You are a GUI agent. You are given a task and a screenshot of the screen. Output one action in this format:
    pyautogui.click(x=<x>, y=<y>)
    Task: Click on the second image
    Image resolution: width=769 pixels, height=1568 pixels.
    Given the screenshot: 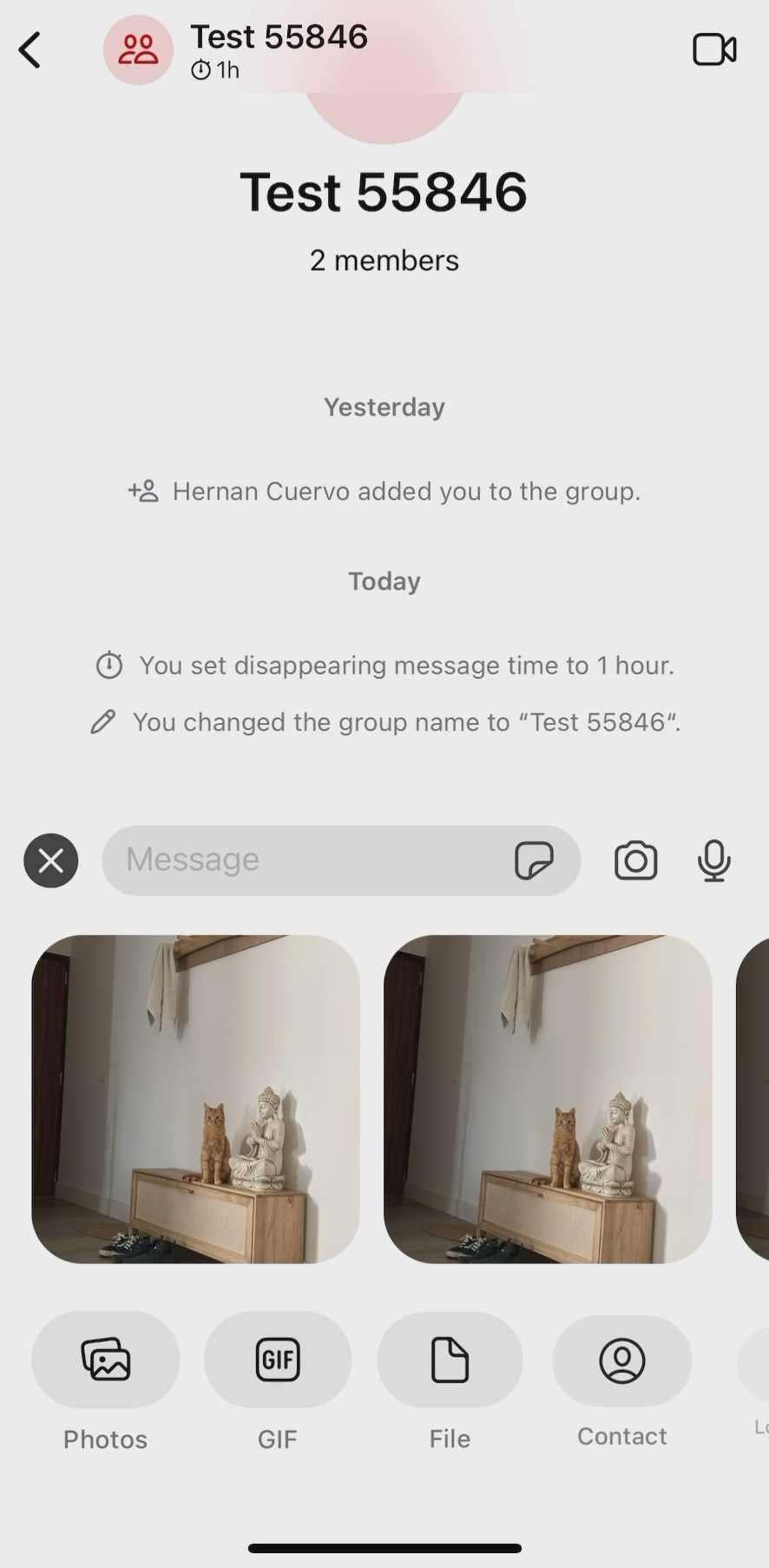 What is the action you would take?
    pyautogui.click(x=551, y=1107)
    